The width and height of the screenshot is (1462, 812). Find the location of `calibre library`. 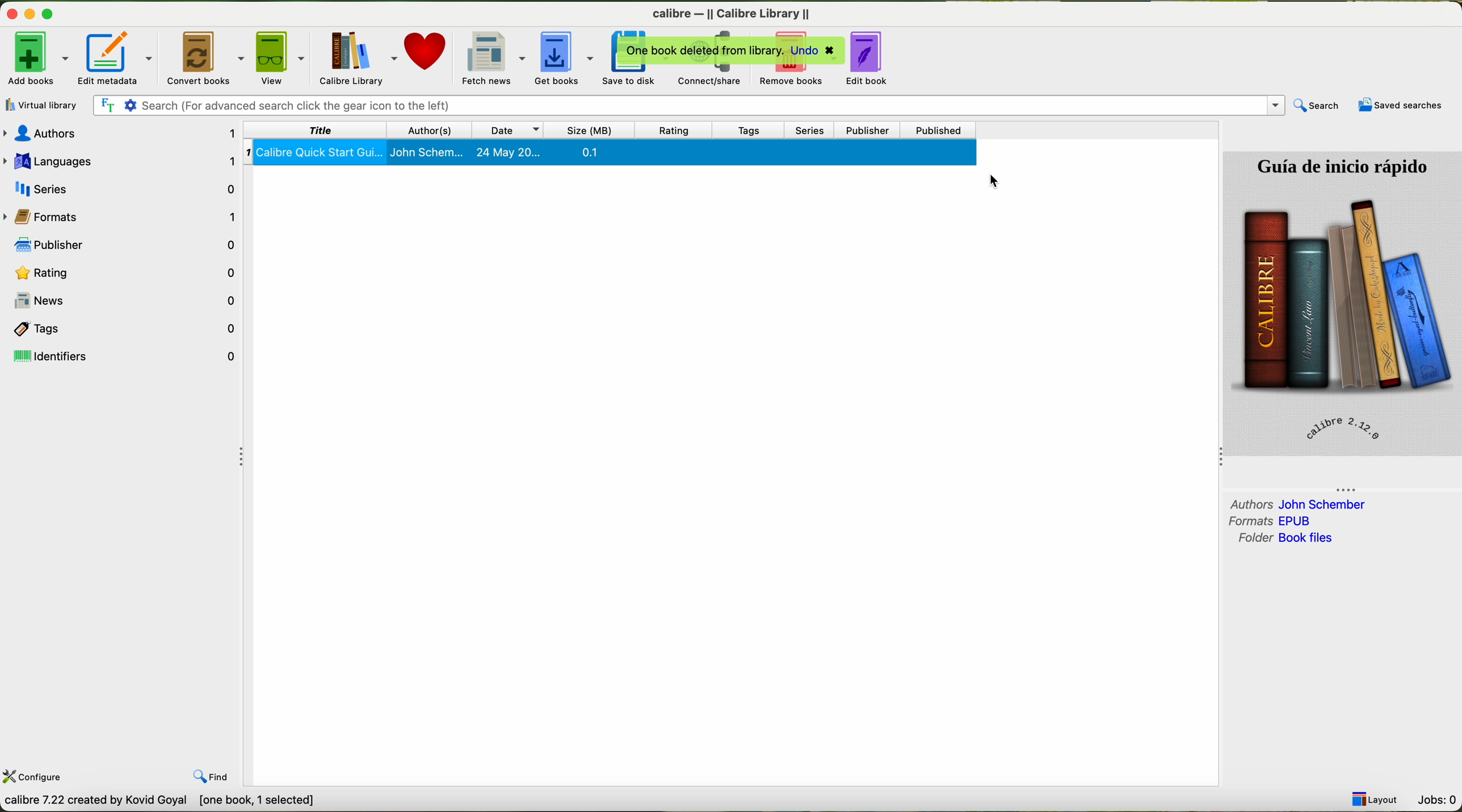

calibre library is located at coordinates (356, 57).